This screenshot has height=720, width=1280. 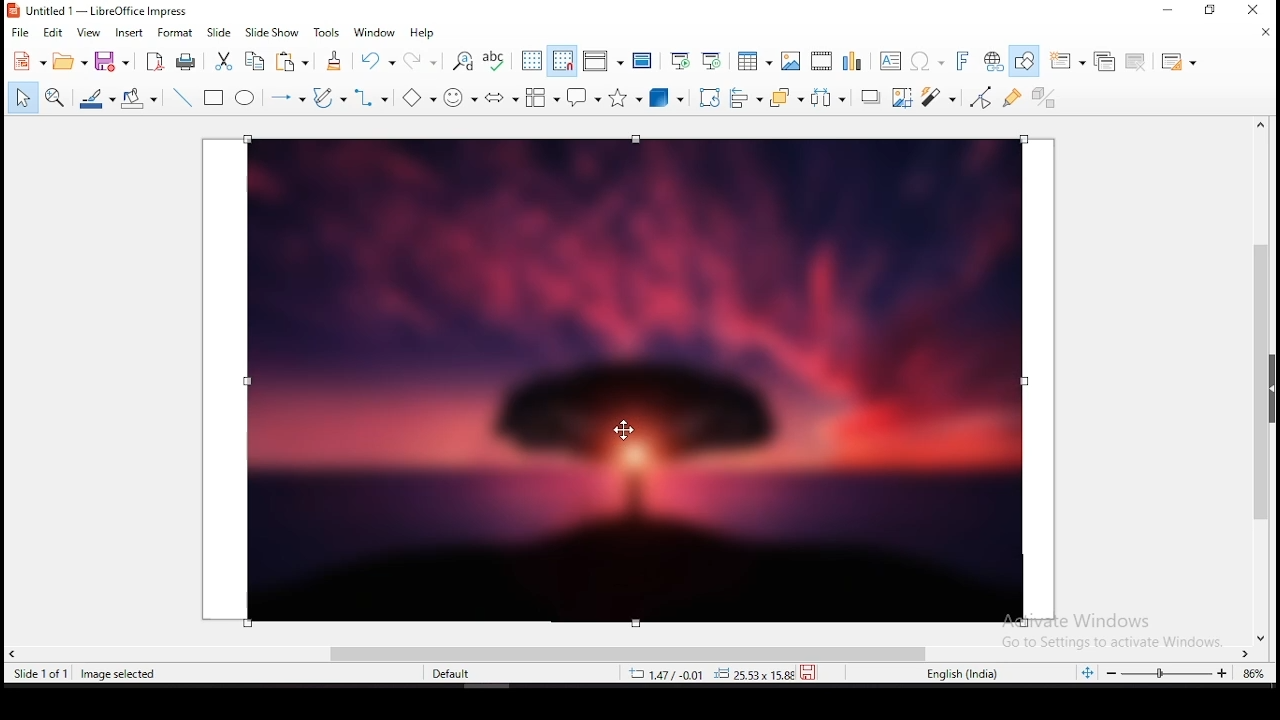 I want to click on lines and arrows, so click(x=285, y=97).